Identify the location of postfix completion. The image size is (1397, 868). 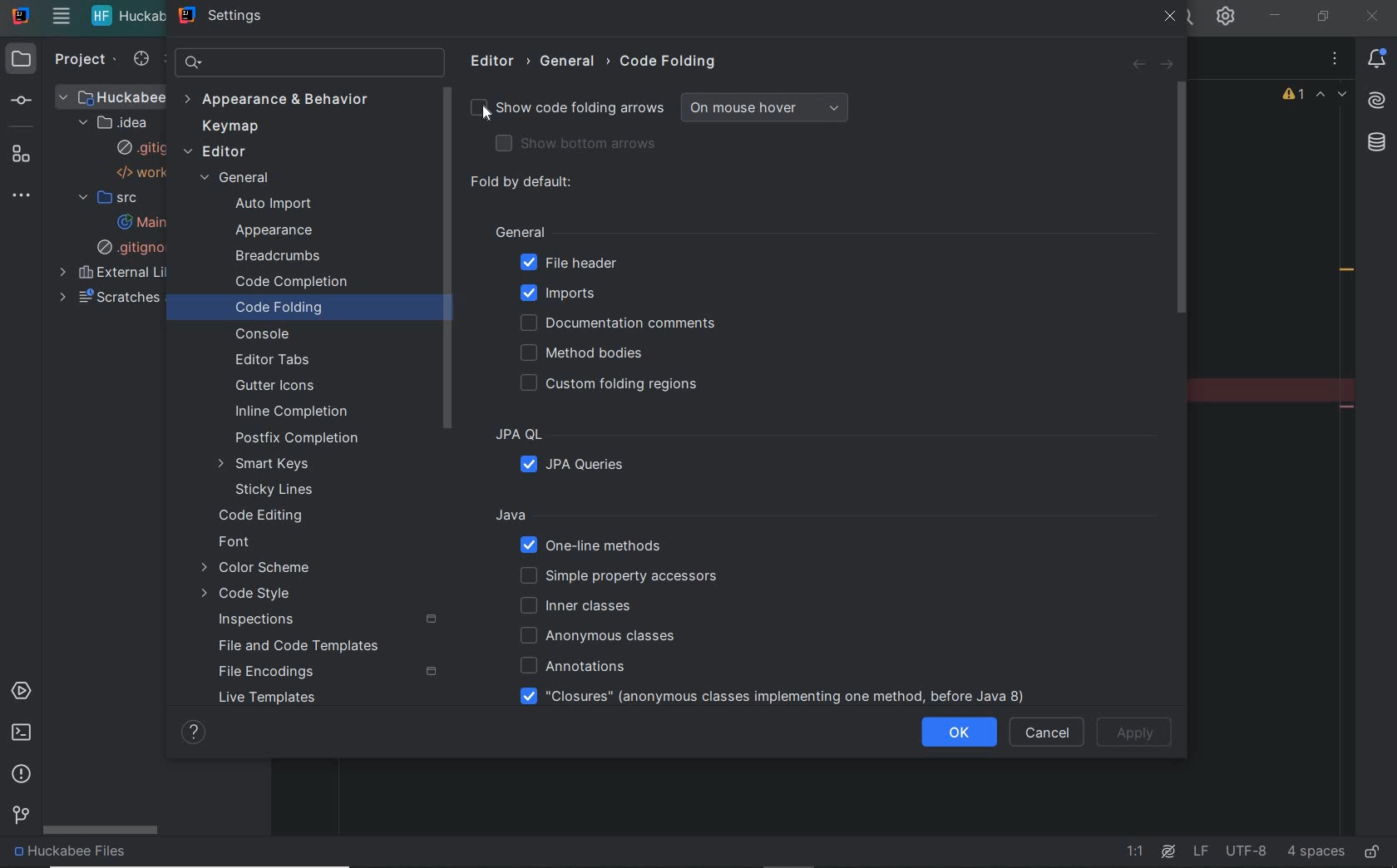
(295, 437).